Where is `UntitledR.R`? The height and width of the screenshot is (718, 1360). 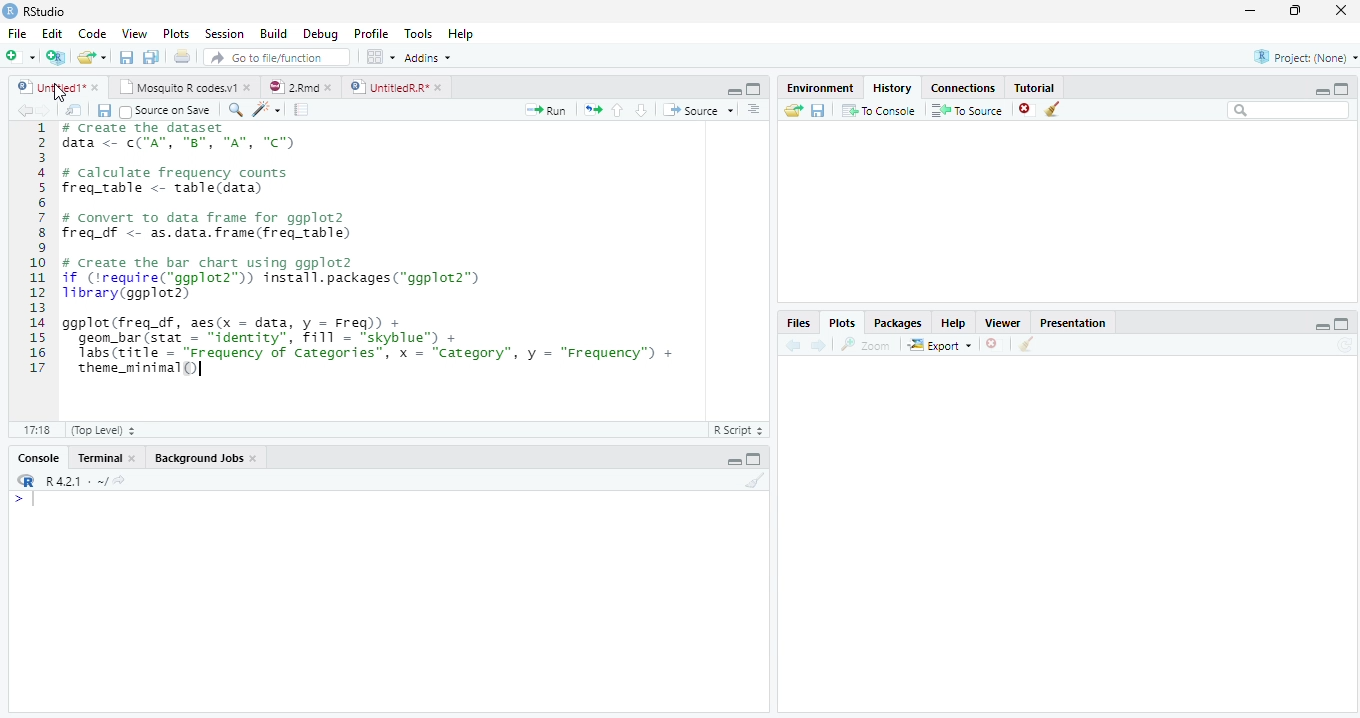 UntitledR.R is located at coordinates (396, 86).